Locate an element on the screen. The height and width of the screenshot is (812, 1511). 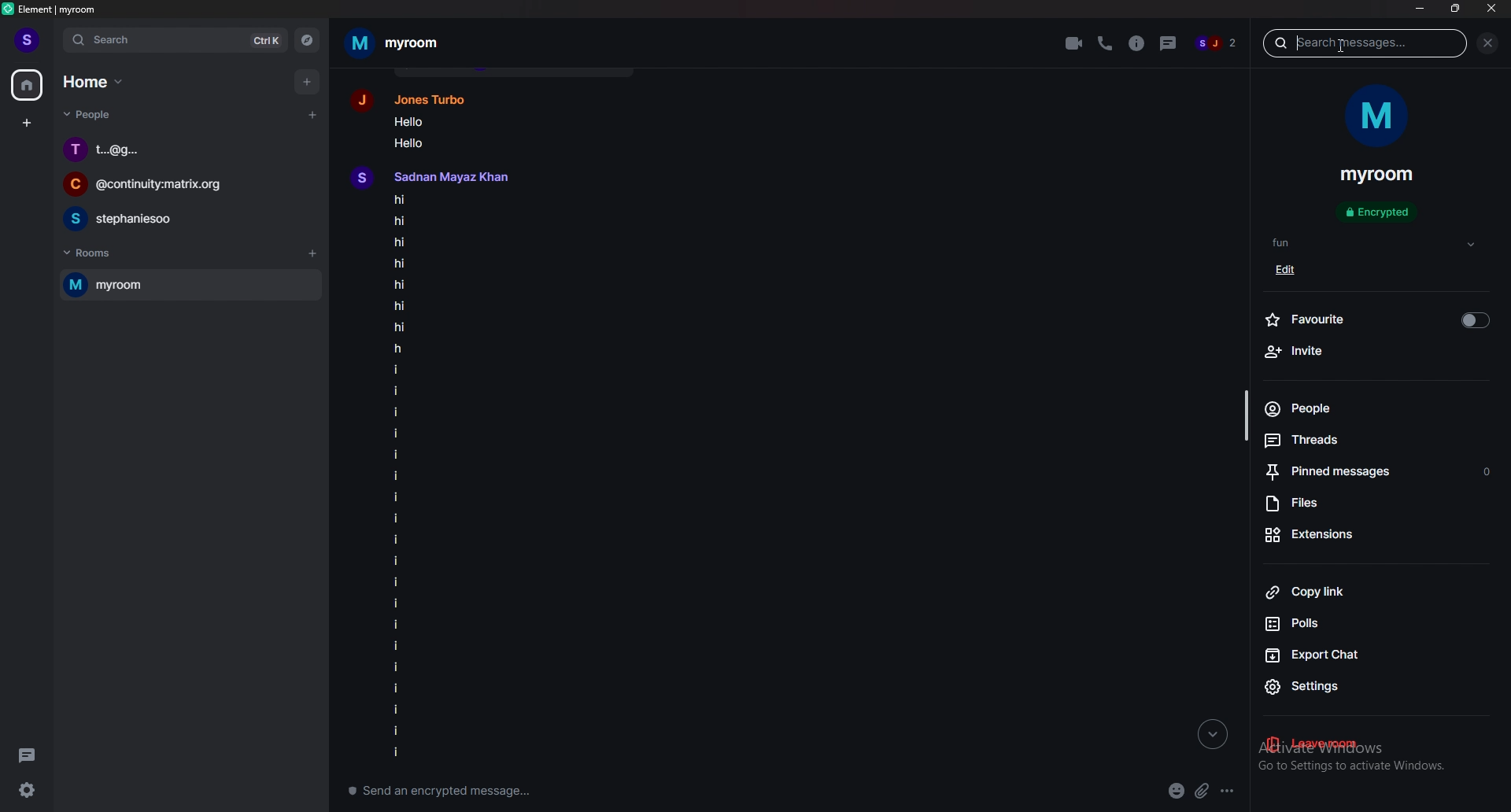
settings is located at coordinates (1352, 689).